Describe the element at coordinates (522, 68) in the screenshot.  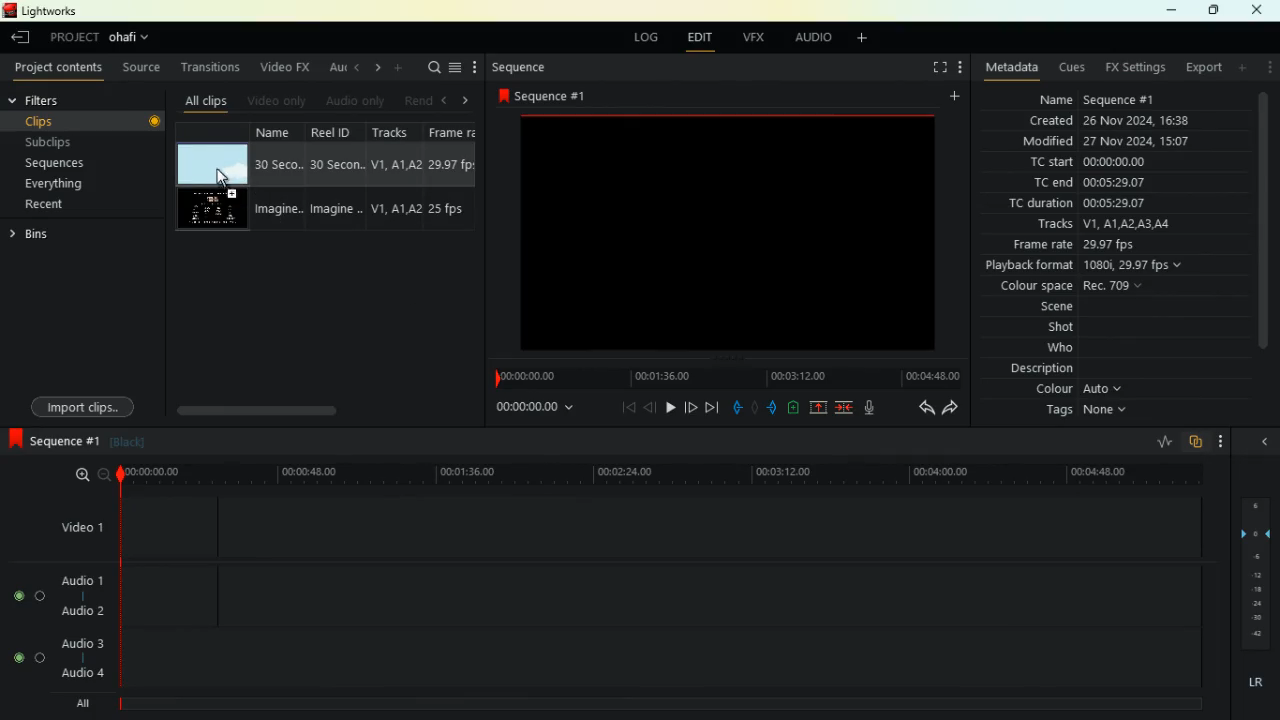
I see `sequence` at that location.